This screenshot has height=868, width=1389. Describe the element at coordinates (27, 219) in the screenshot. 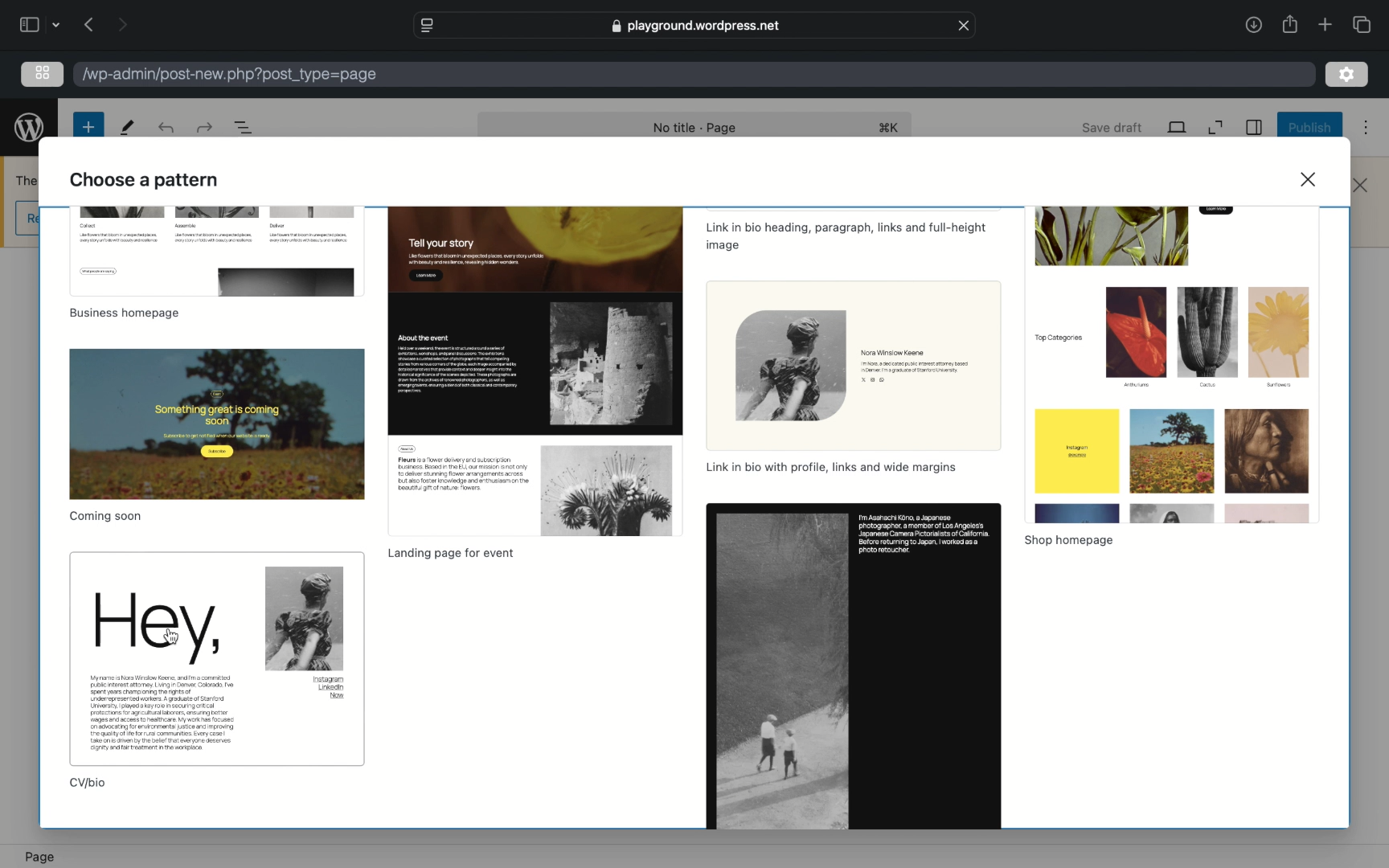

I see `obscure icon` at that location.